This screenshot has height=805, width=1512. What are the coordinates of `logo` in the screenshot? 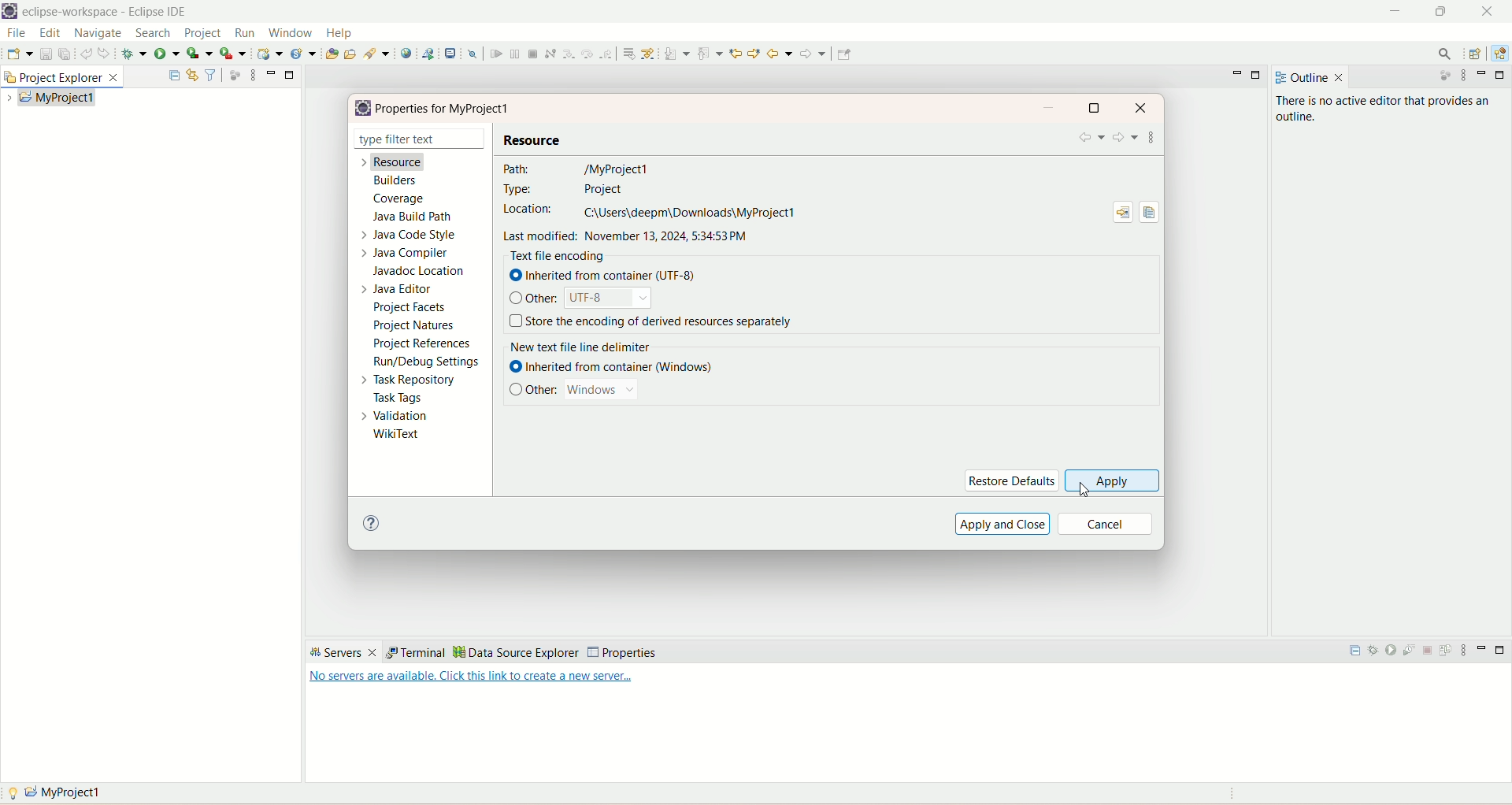 It's located at (361, 108).